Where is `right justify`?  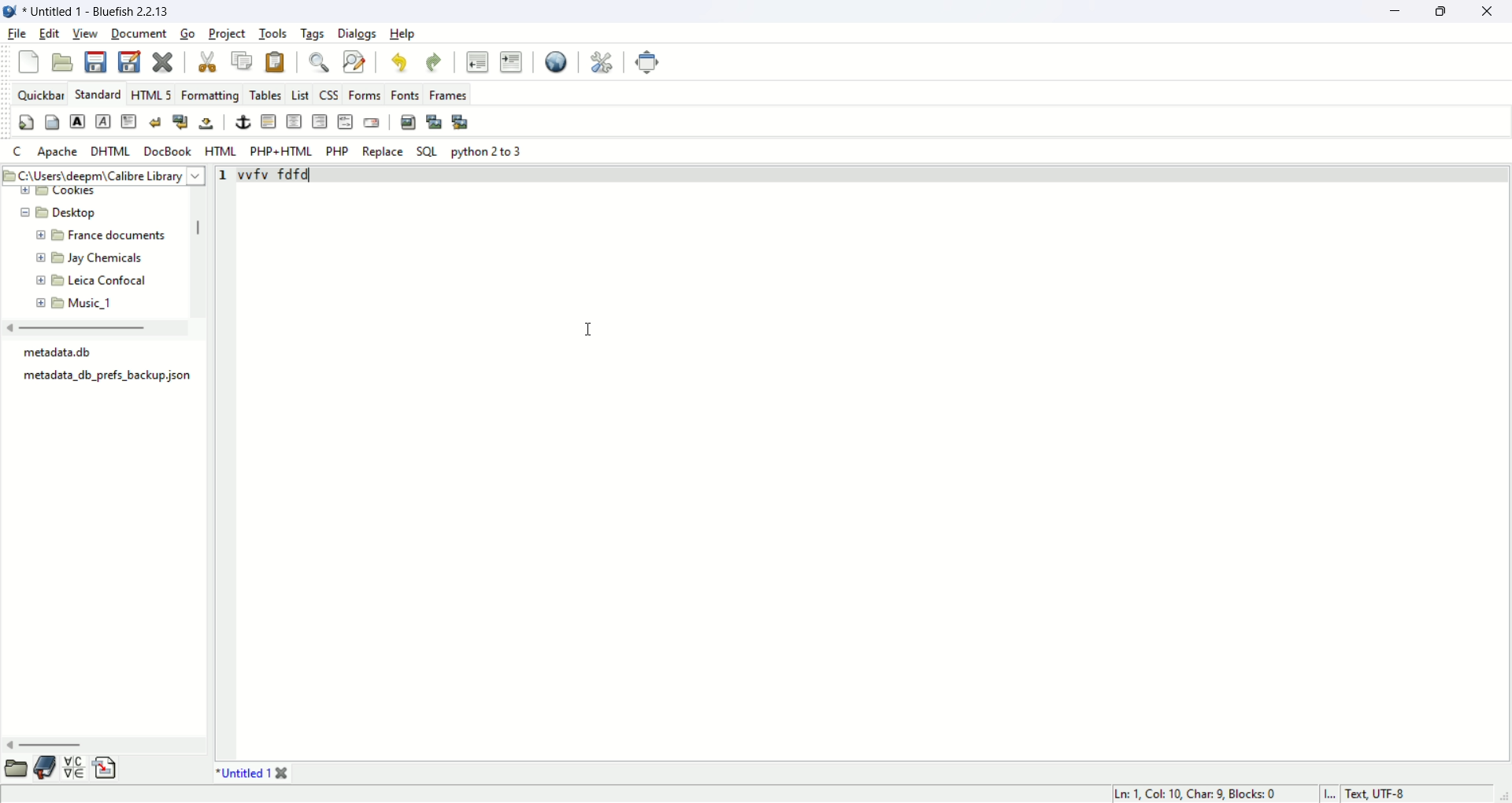
right justify is located at coordinates (321, 121).